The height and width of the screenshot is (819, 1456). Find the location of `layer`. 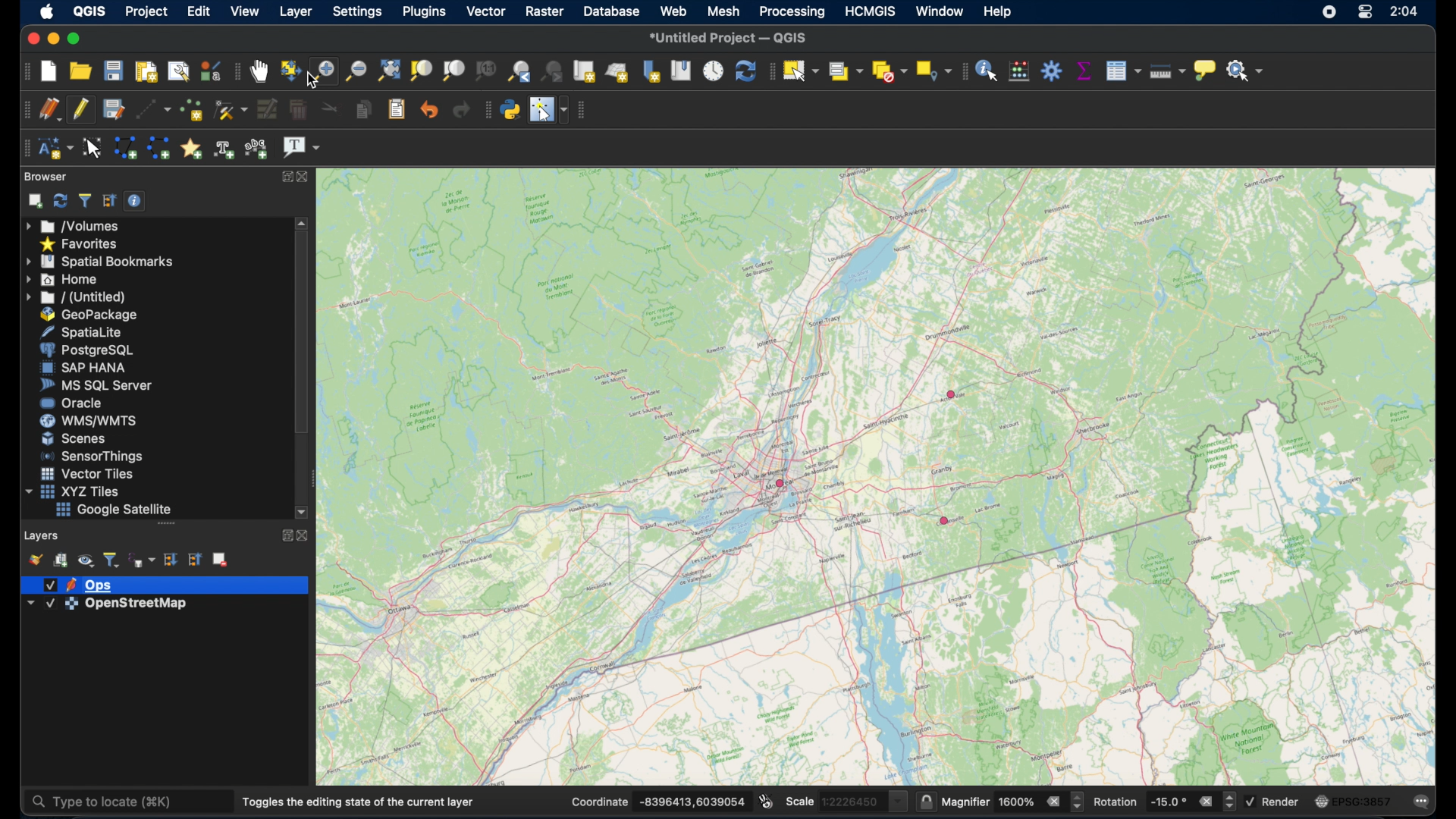

layer is located at coordinates (112, 604).